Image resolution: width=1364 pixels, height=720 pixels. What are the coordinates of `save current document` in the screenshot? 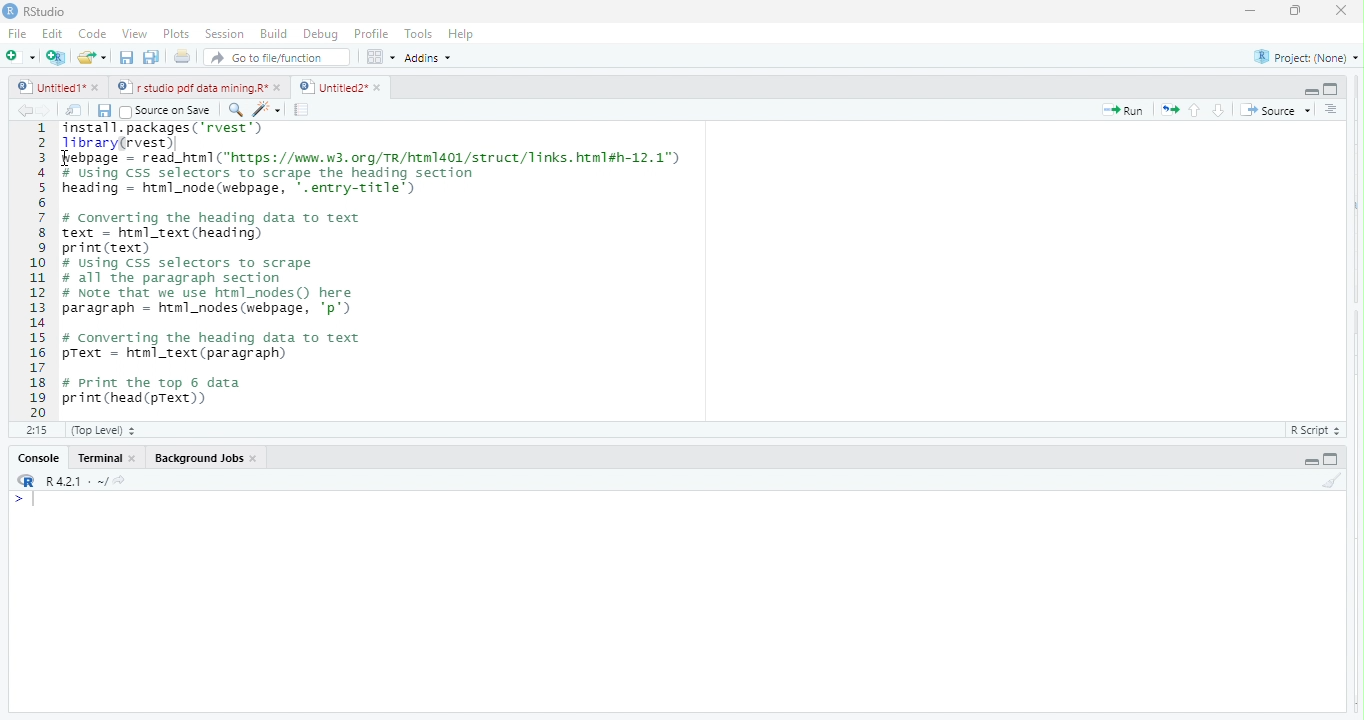 It's located at (104, 112).